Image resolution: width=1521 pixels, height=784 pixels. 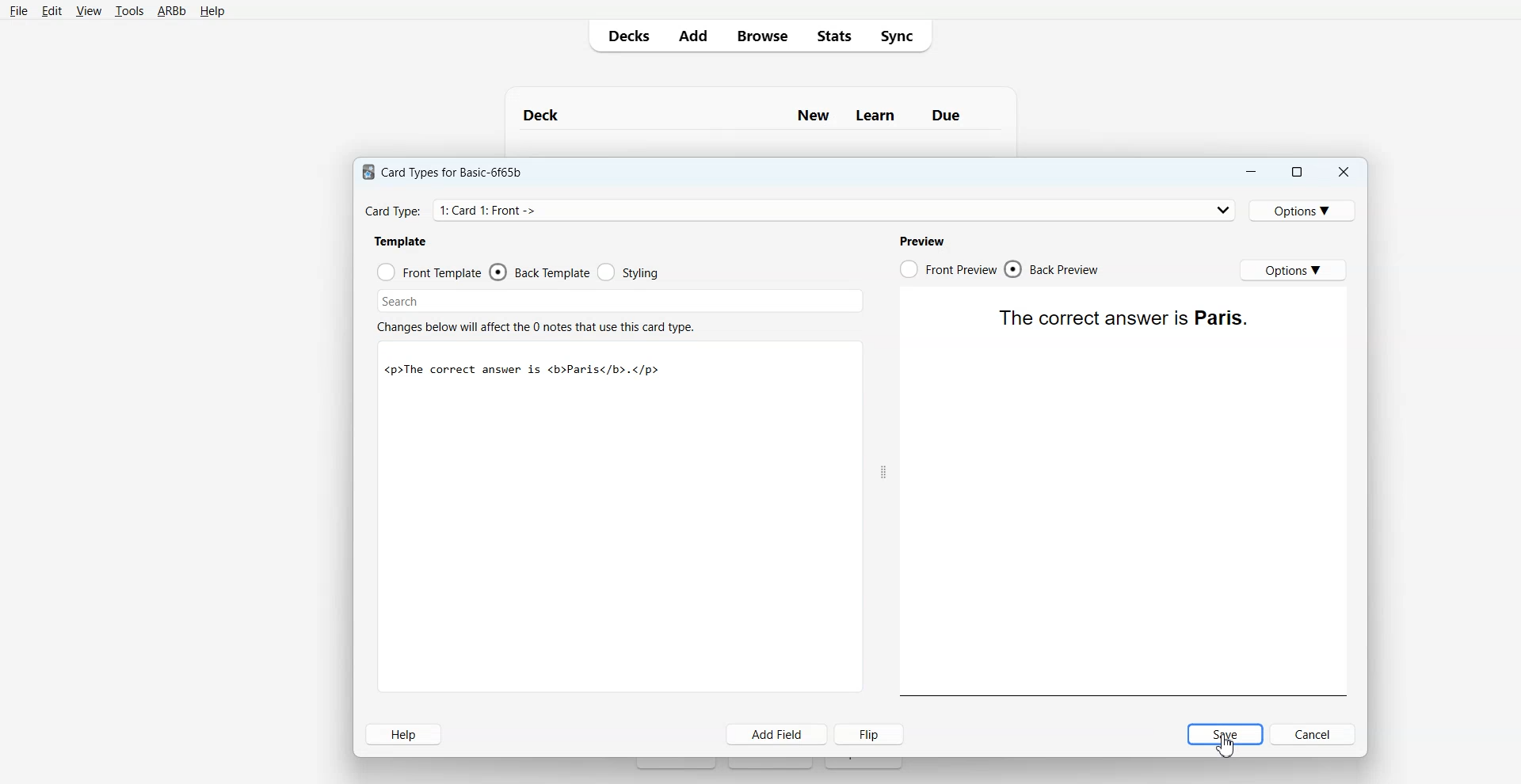 What do you see at coordinates (1054, 269) in the screenshot?
I see `Back Preview` at bounding box center [1054, 269].